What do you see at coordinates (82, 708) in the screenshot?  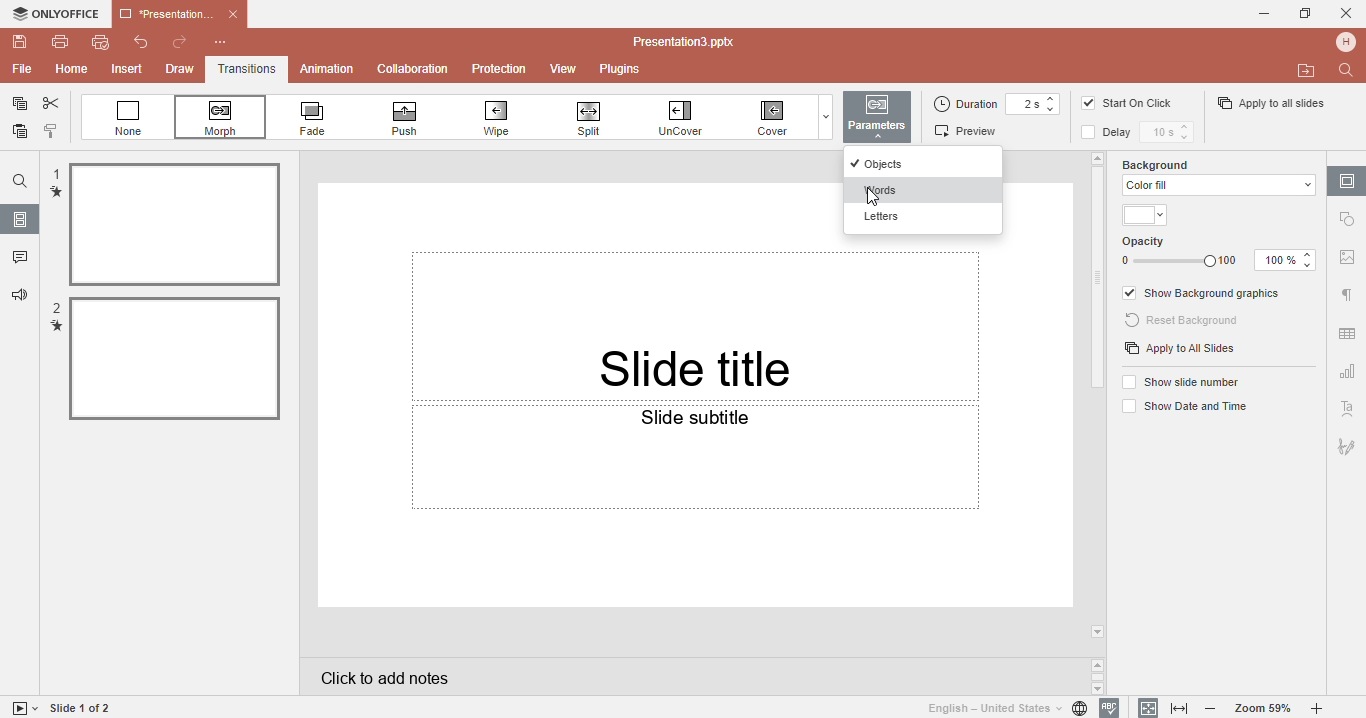 I see `Slide 1 to 1` at bounding box center [82, 708].